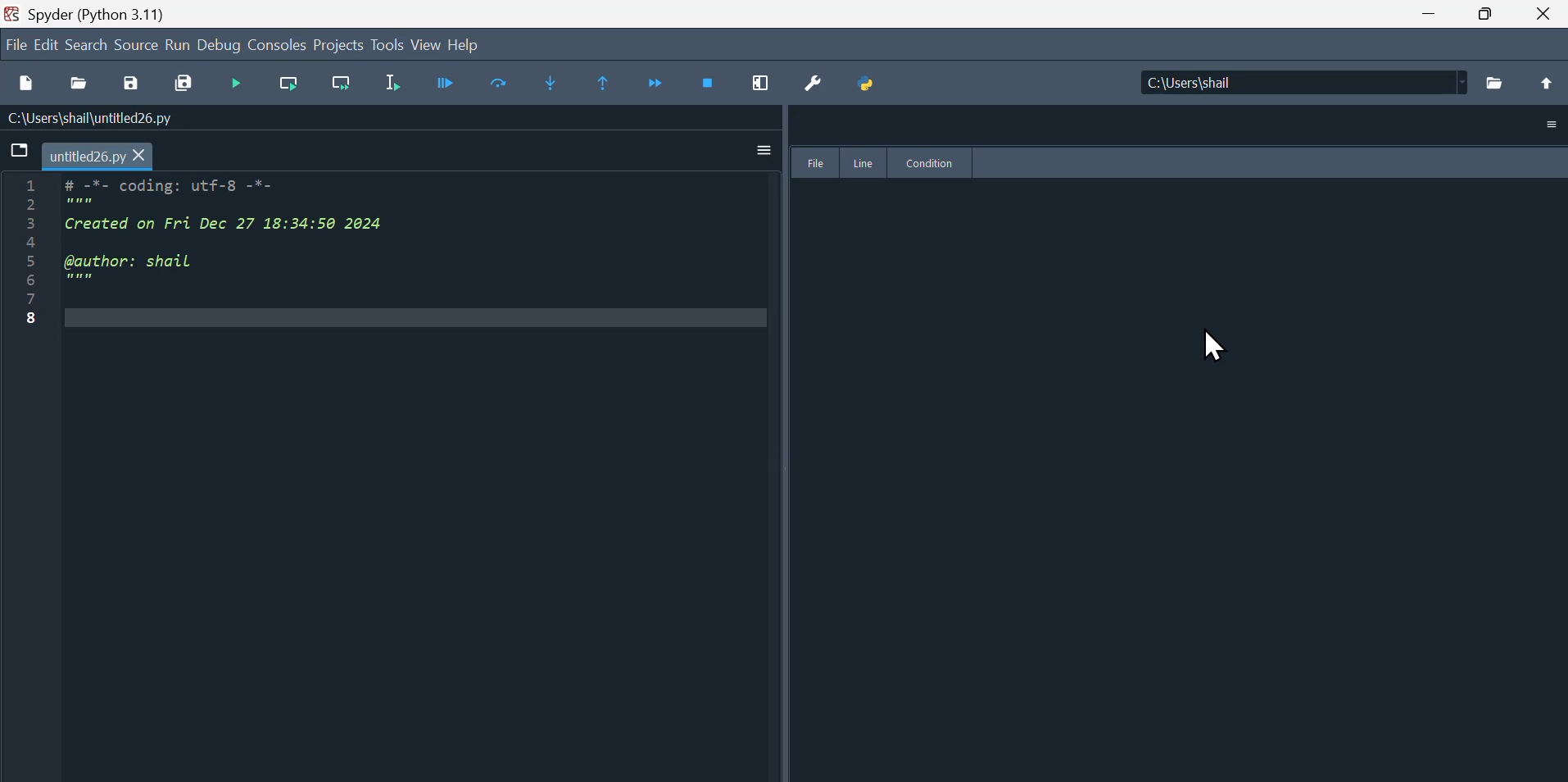 This screenshot has width=1568, height=782. I want to click on help , so click(474, 47).